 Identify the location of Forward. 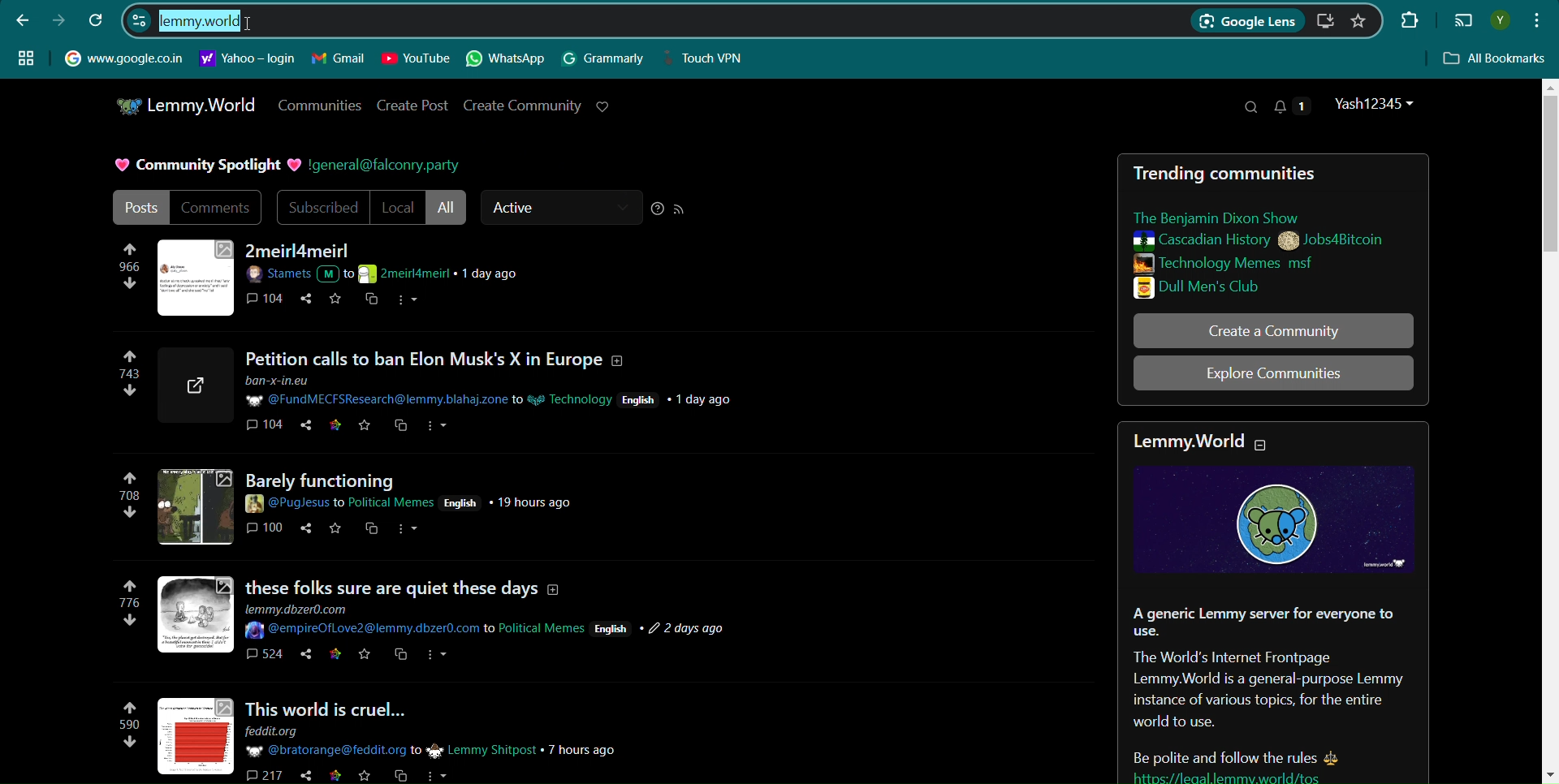
(58, 20).